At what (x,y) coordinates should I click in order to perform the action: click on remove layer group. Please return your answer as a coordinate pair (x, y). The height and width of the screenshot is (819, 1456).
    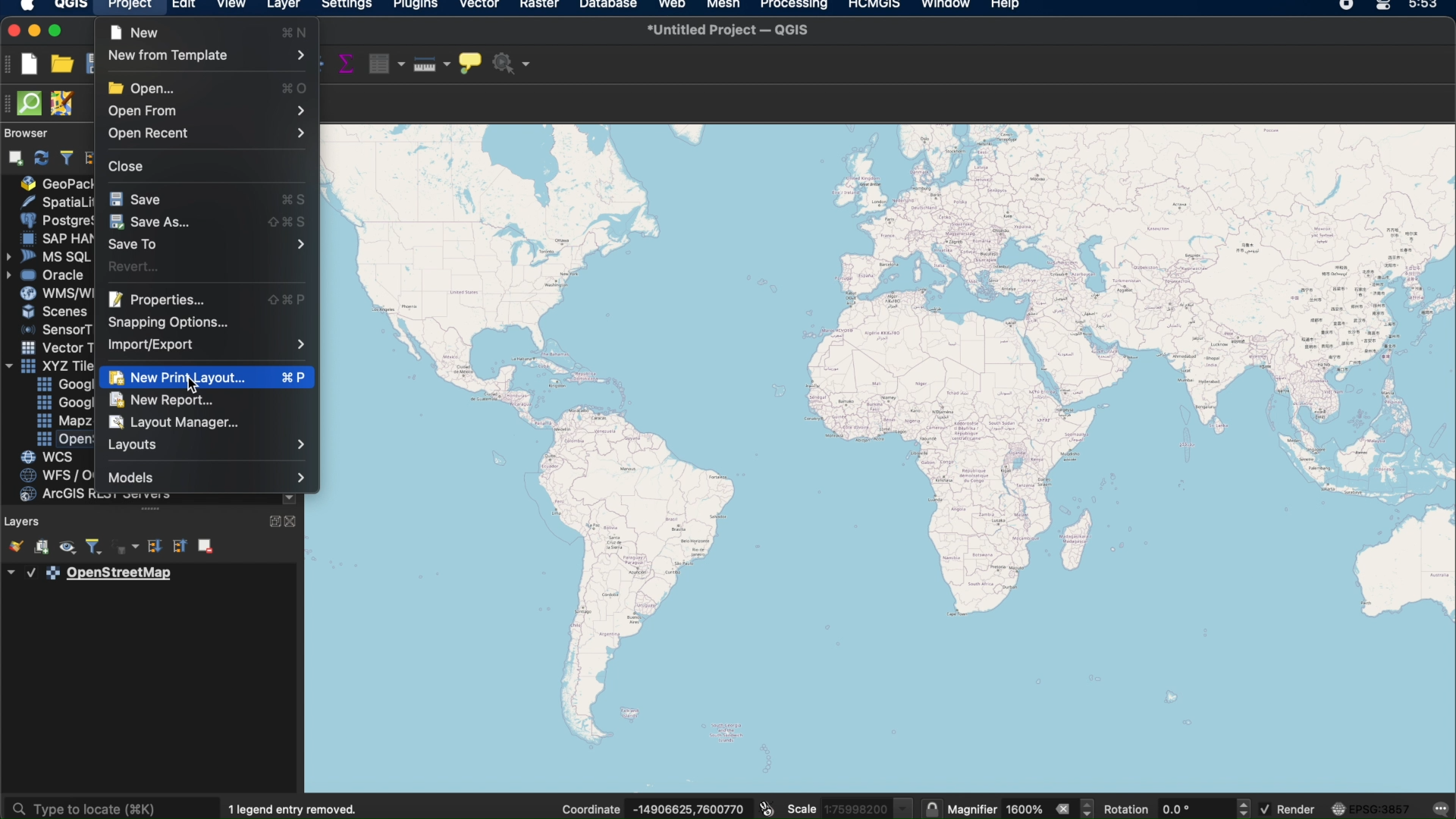
    Looking at the image, I should click on (207, 545).